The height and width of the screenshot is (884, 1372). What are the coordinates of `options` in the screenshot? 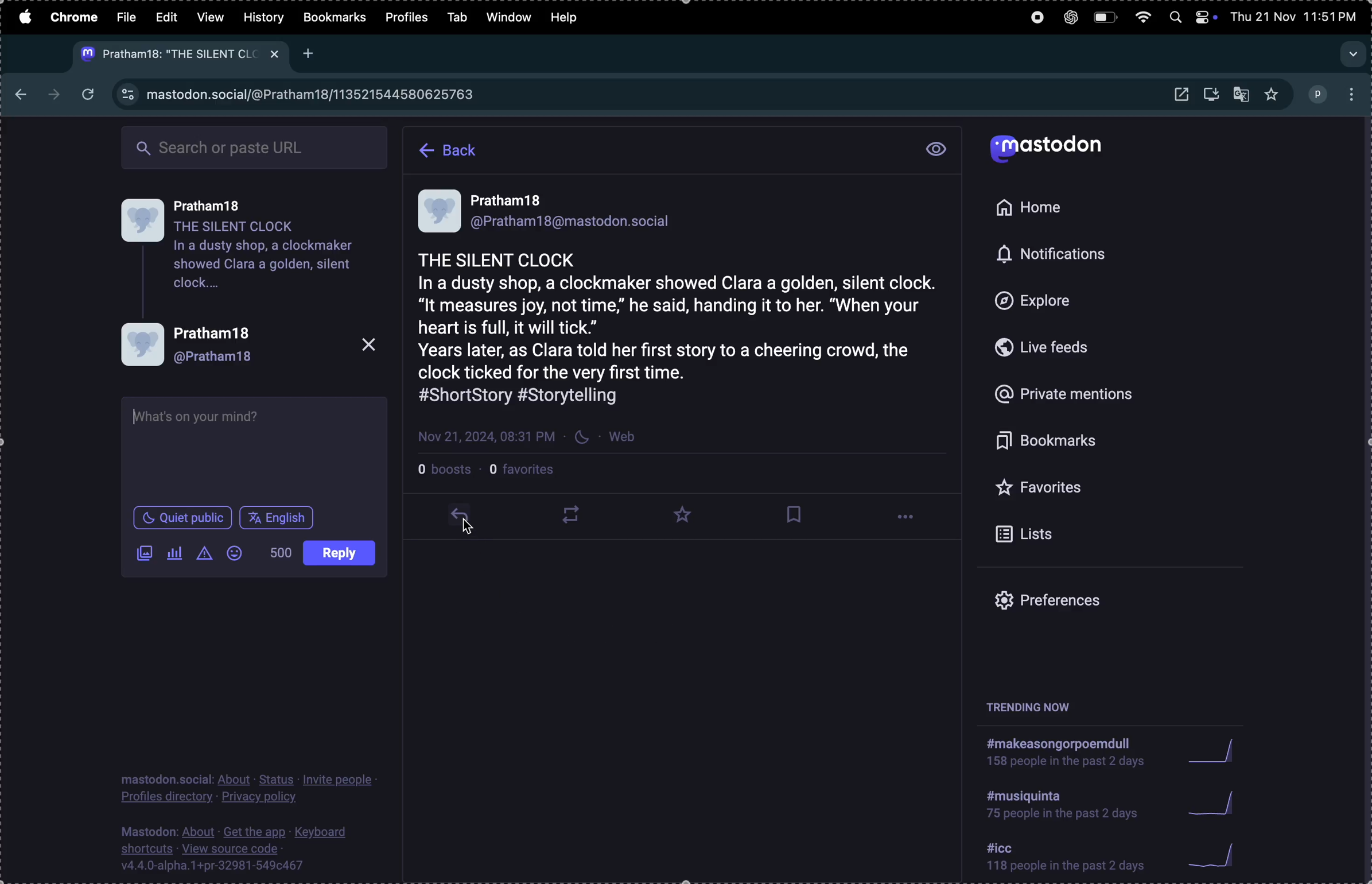 It's located at (1348, 94).